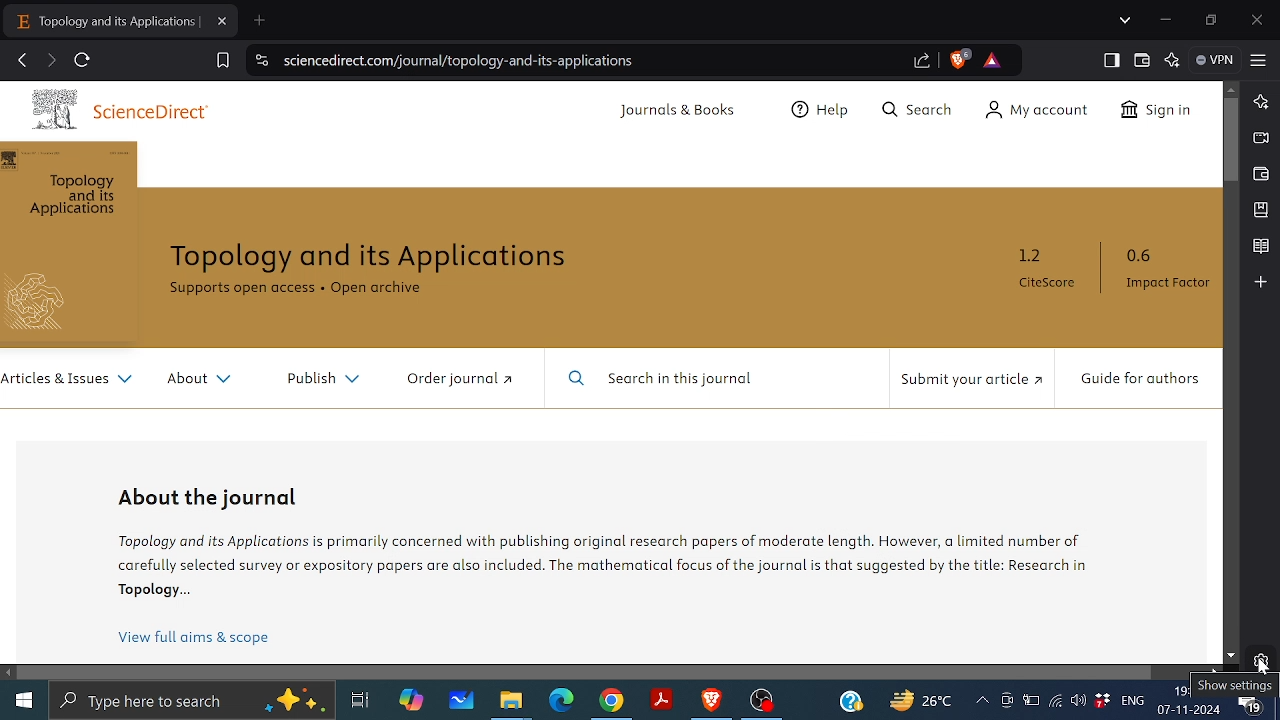 This screenshot has height=720, width=1280. I want to click on Show sidebar, so click(1110, 61).